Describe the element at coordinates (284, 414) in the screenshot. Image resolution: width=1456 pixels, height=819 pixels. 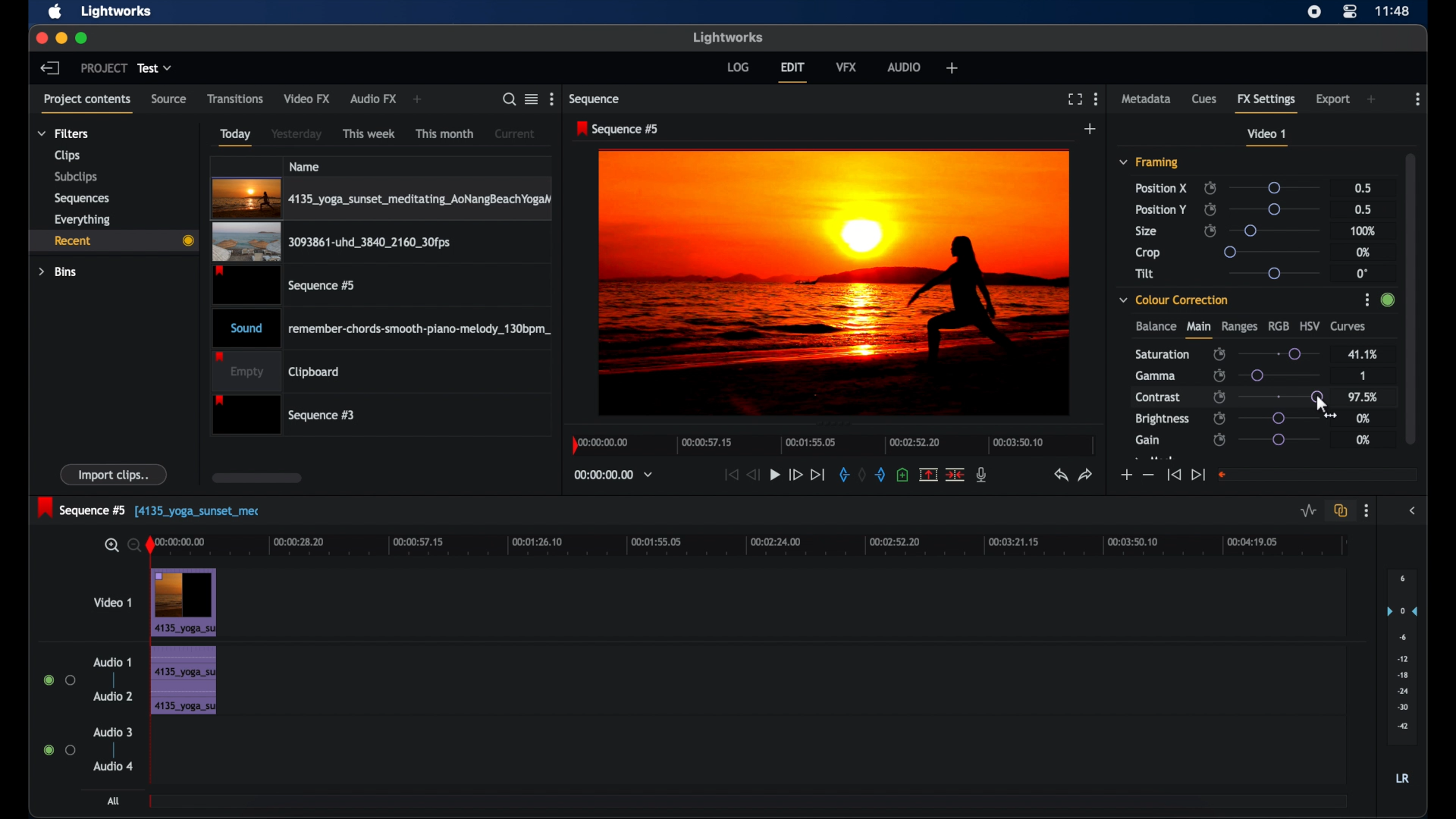
I see `sequence 3` at that location.